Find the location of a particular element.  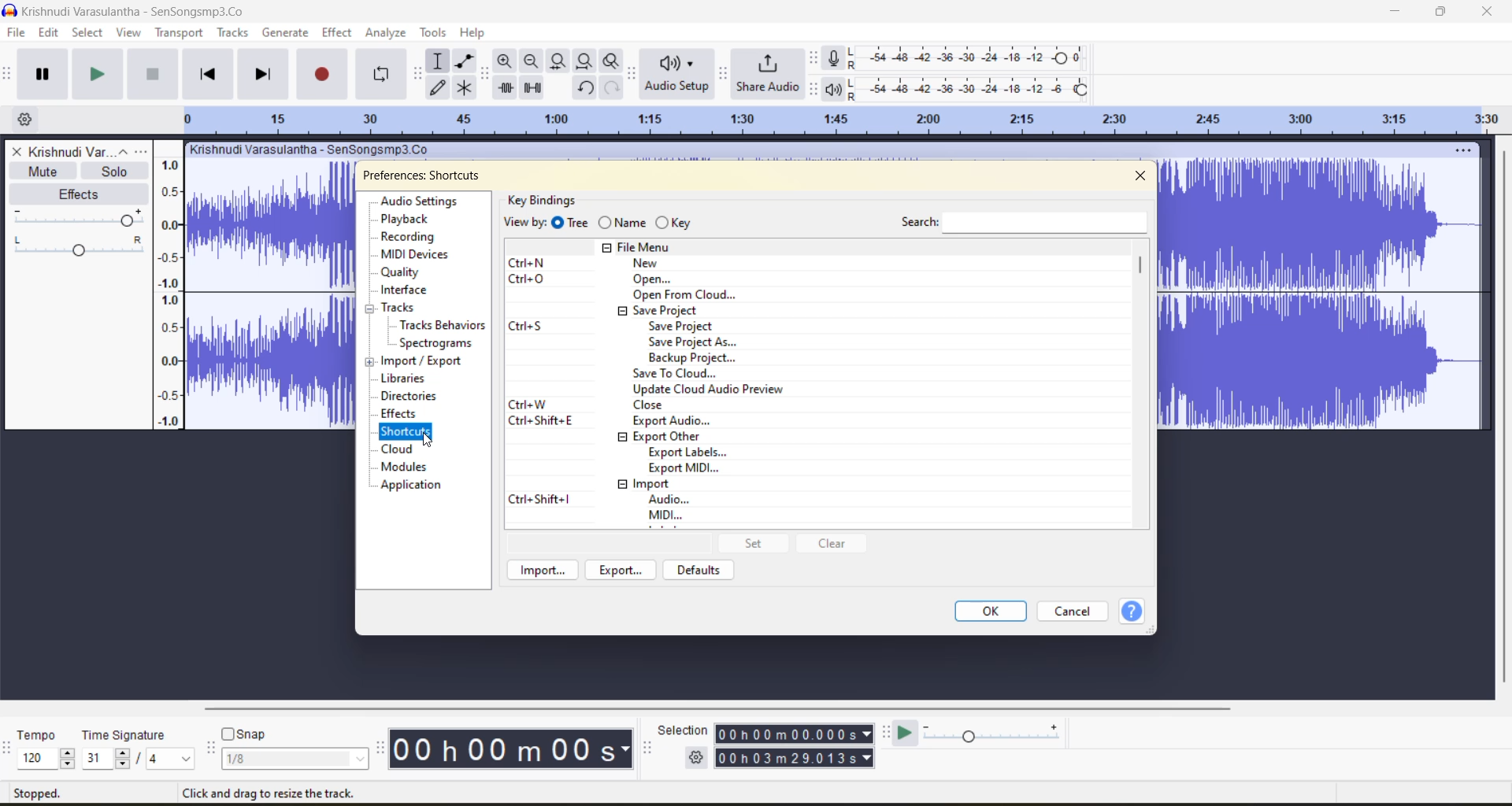

tools toolbar is located at coordinates (416, 74).